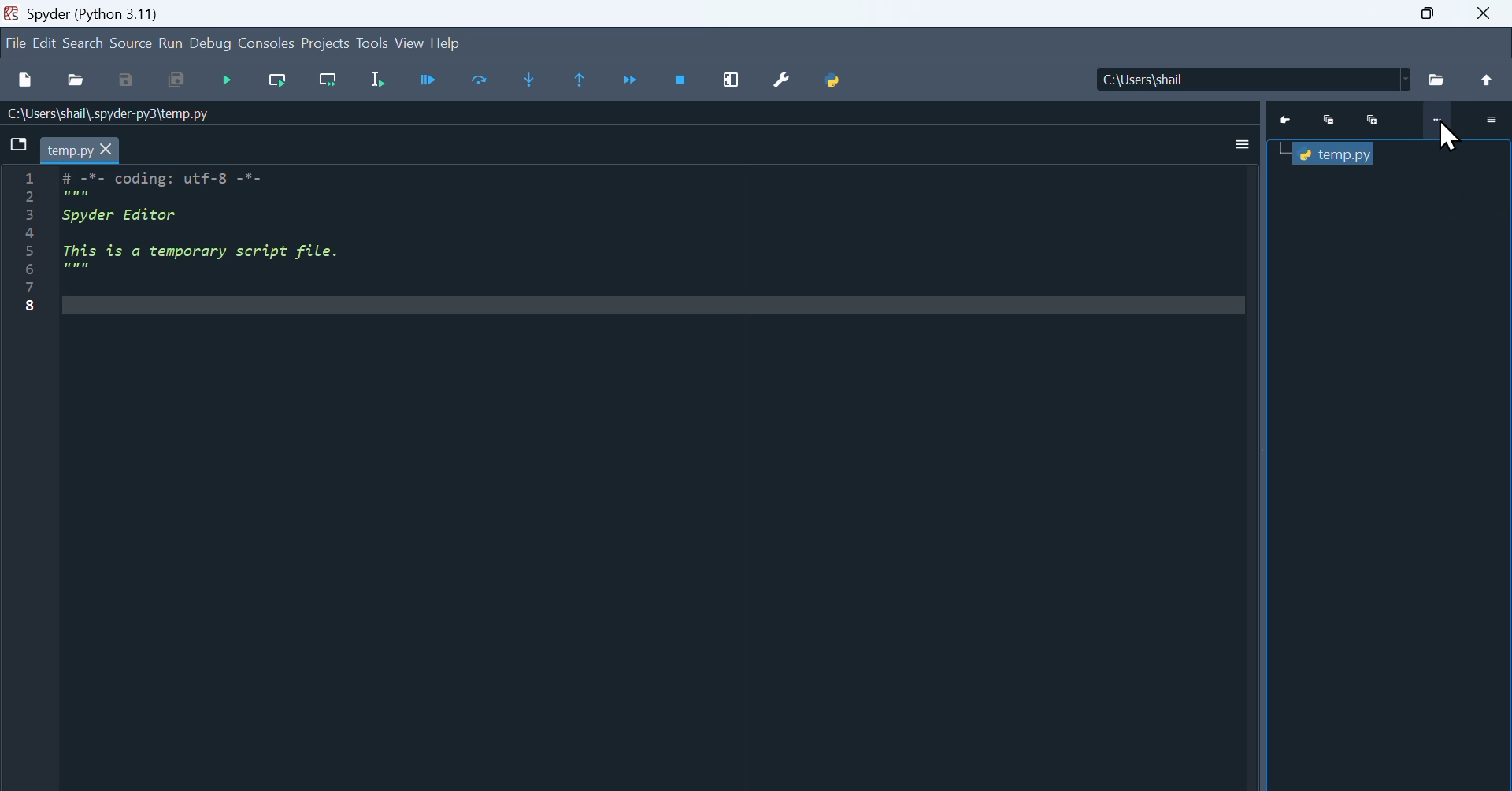 The width and height of the screenshot is (1512, 791). What do you see at coordinates (171, 44) in the screenshot?
I see `run` at bounding box center [171, 44].